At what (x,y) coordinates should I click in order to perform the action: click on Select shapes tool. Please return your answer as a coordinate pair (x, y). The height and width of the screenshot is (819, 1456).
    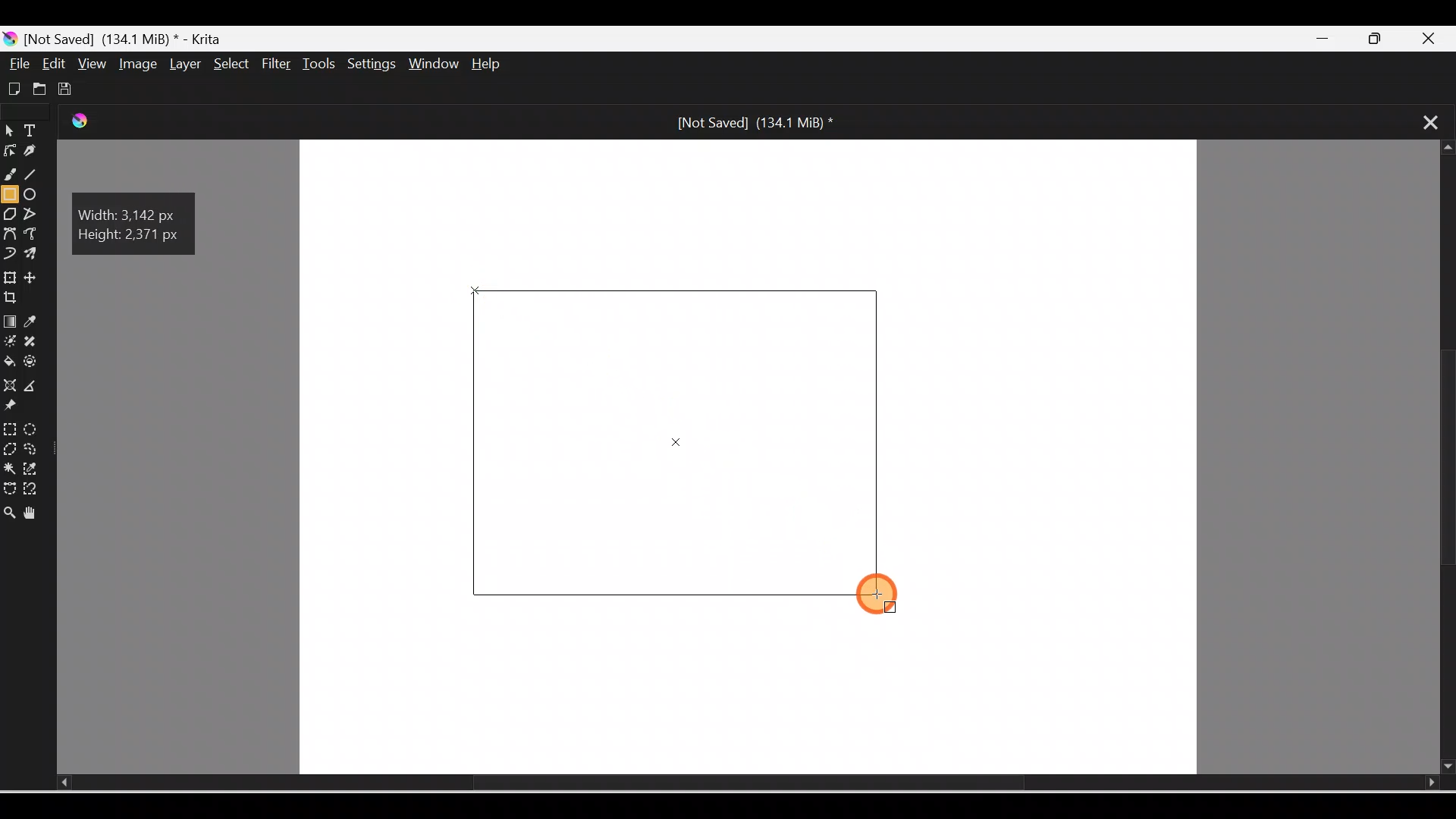
    Looking at the image, I should click on (9, 133).